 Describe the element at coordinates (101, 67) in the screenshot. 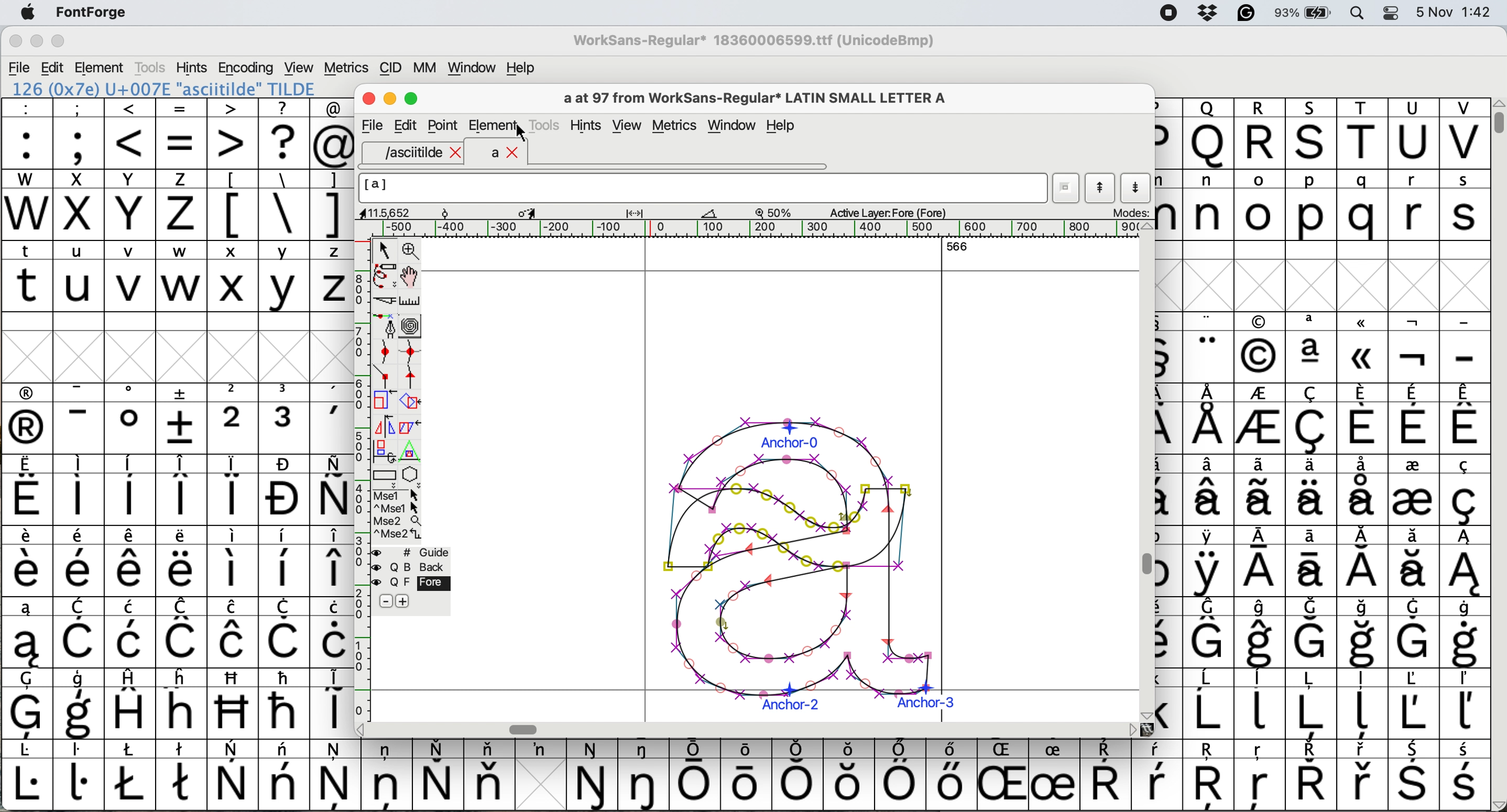

I see `element` at that location.